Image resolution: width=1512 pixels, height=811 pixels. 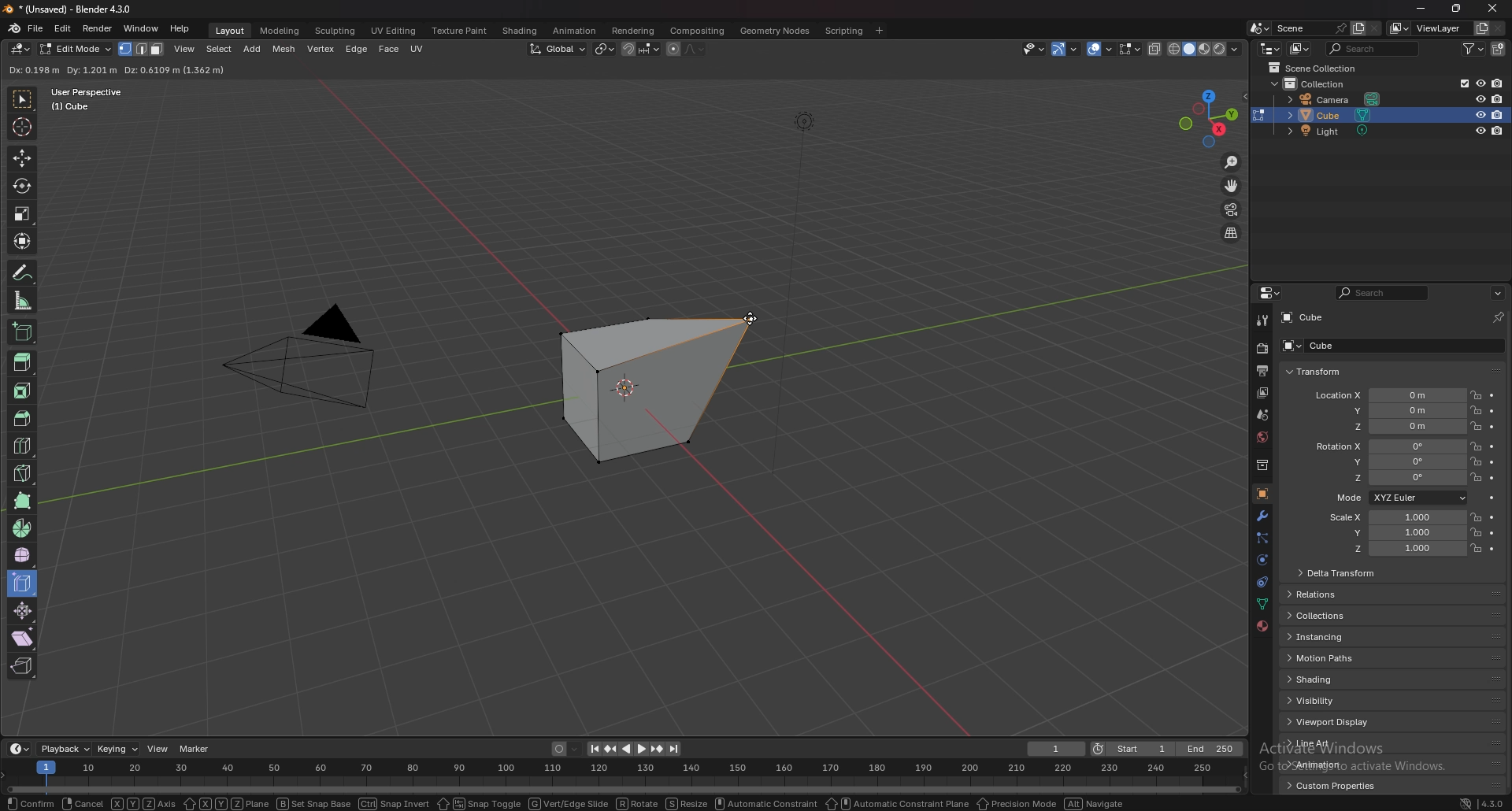 I want to click on editor type, so click(x=1272, y=293).